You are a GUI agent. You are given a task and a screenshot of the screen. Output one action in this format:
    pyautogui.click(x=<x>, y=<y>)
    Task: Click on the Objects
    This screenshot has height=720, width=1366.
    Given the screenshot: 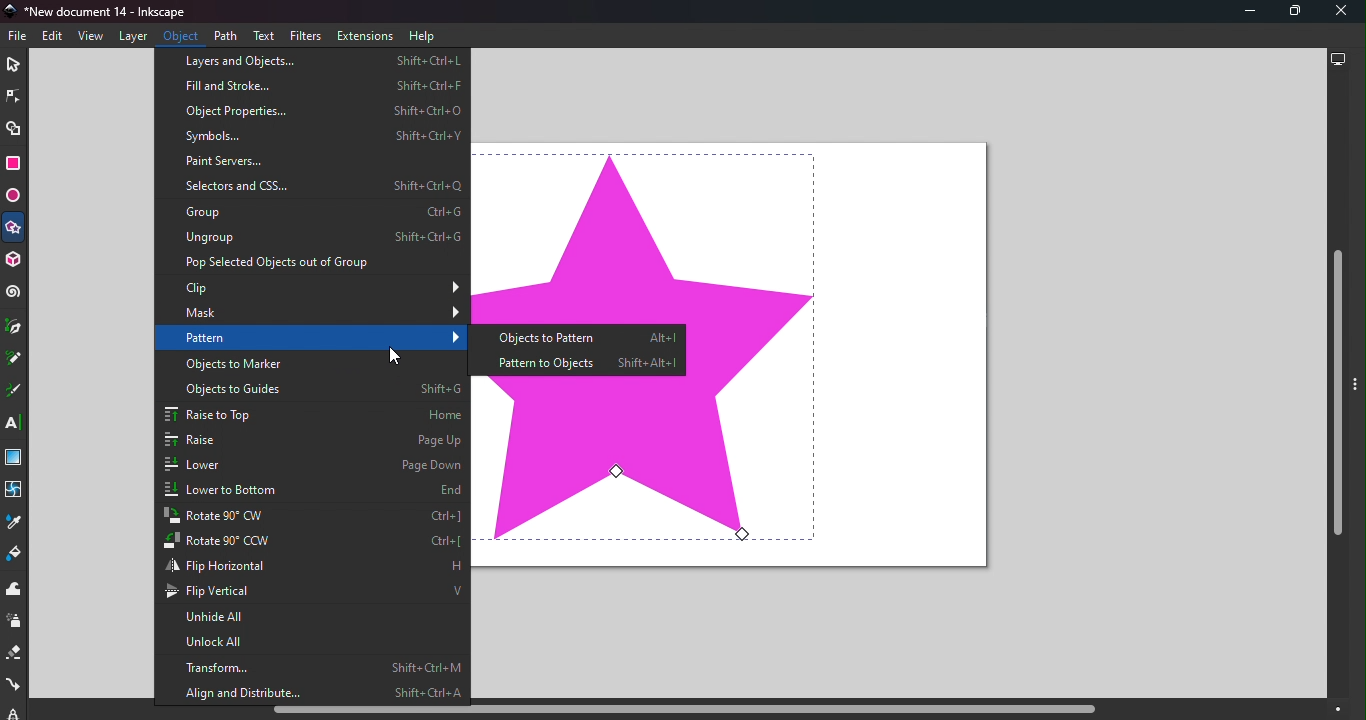 What is the action you would take?
    pyautogui.click(x=312, y=365)
    